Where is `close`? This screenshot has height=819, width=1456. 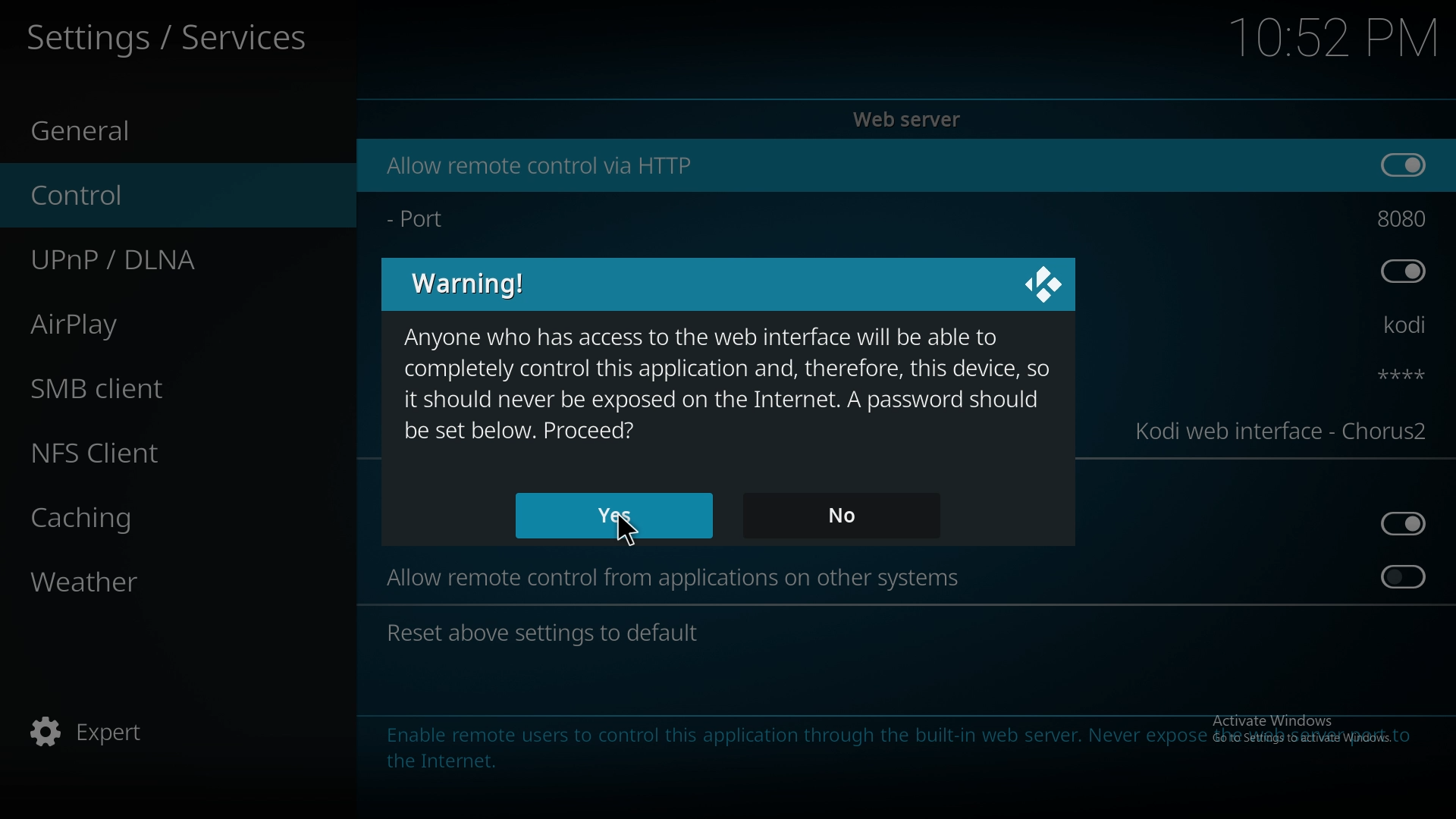
close is located at coordinates (1042, 286).